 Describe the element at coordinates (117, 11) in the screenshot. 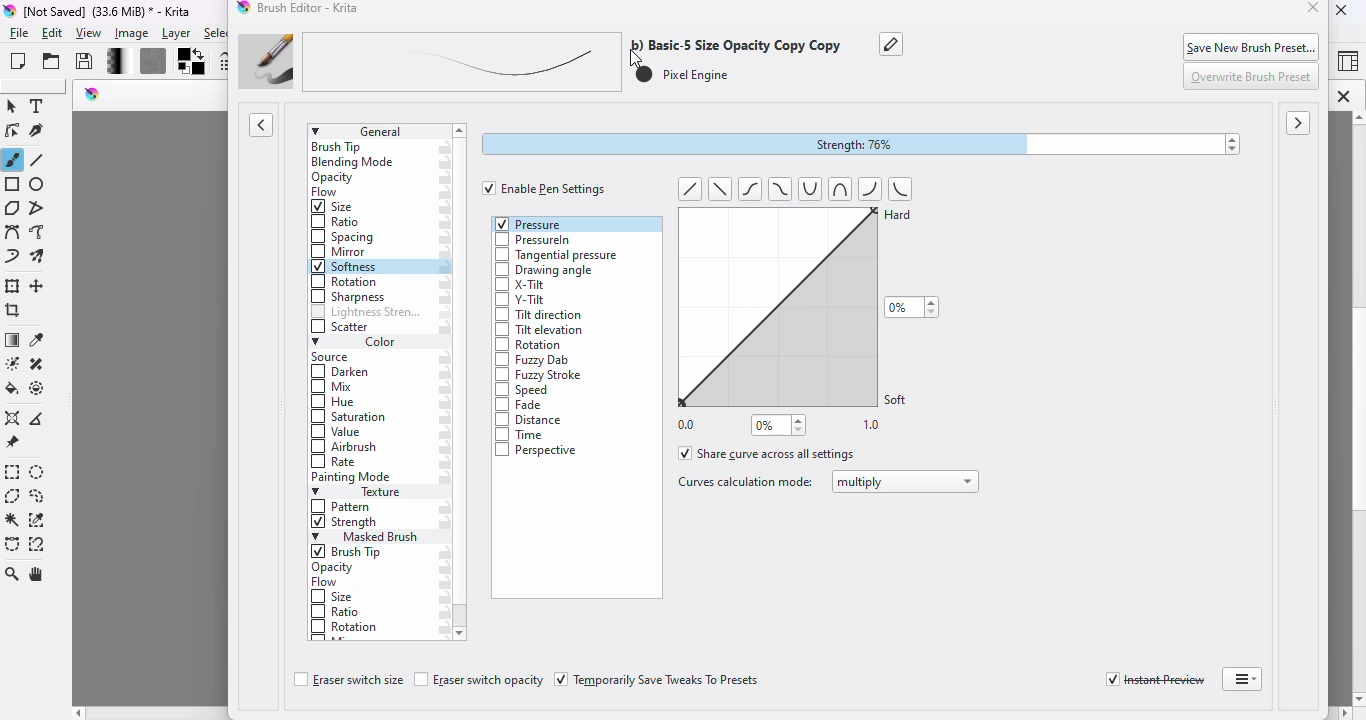

I see `[Not Saved] (33.6 MiB) * - Krita` at that location.